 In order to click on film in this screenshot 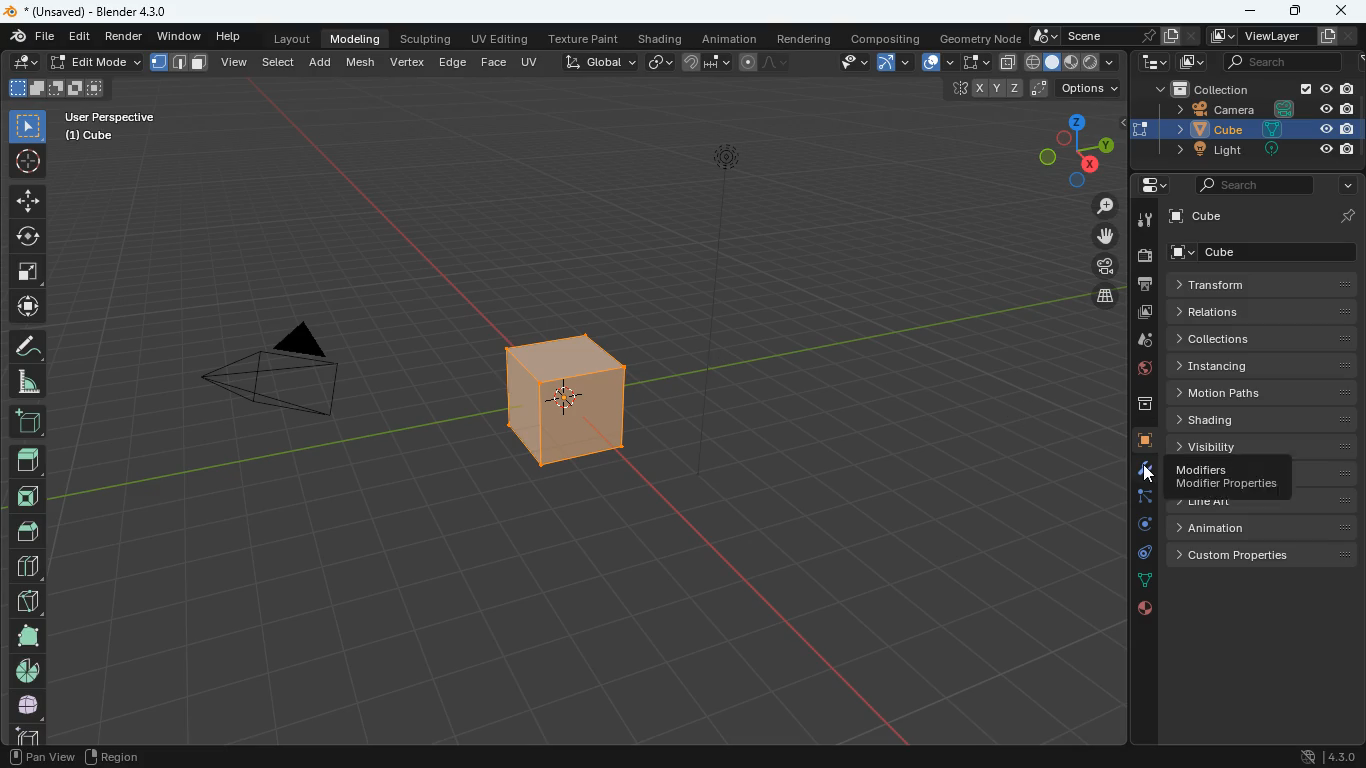, I will do `click(1099, 268)`.